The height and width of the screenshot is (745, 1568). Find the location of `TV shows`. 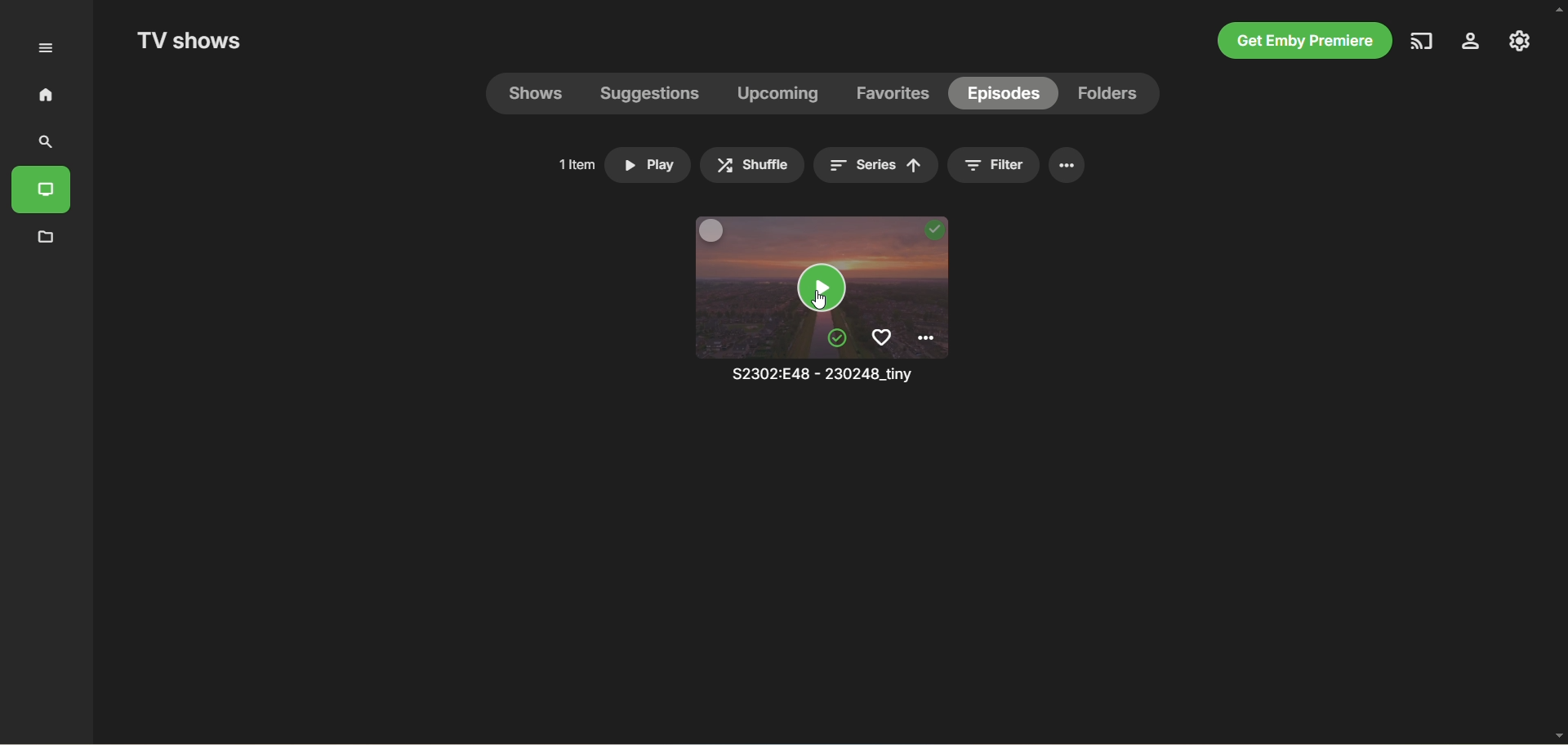

TV shows is located at coordinates (188, 40).